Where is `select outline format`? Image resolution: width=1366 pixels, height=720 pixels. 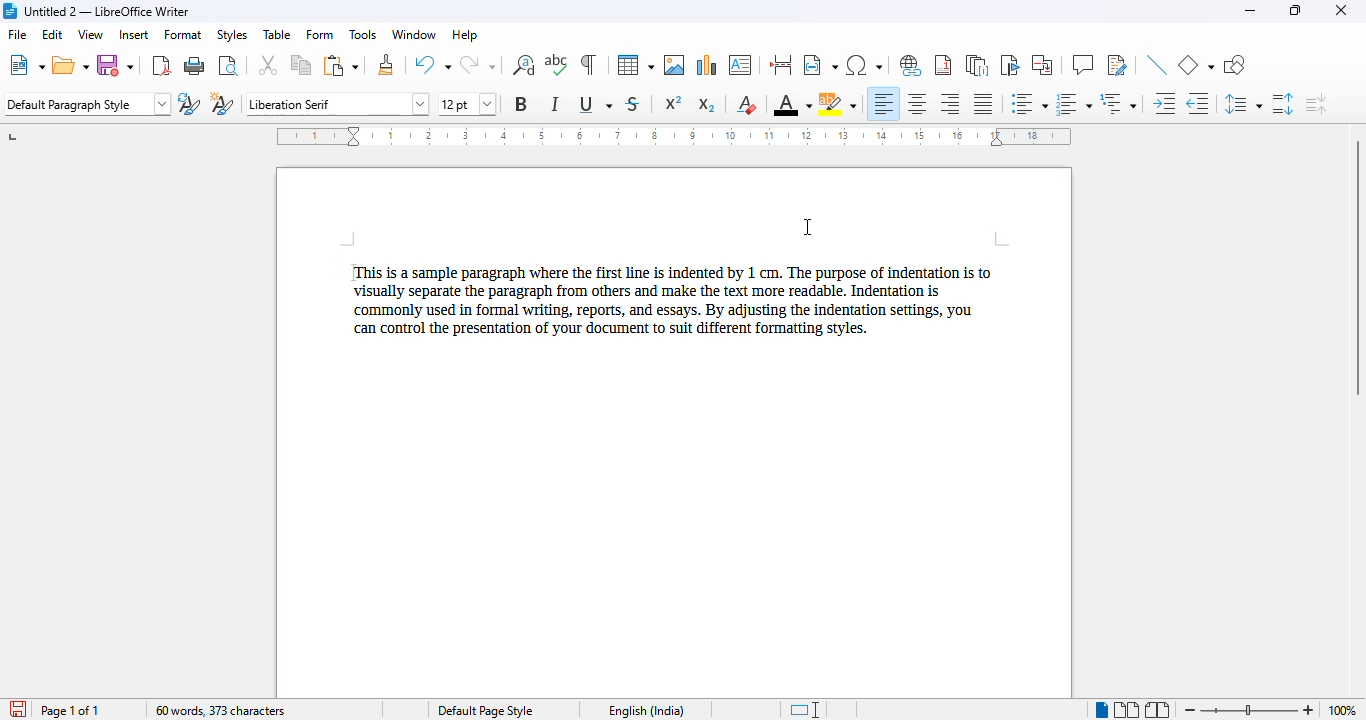 select outline format is located at coordinates (1117, 103).